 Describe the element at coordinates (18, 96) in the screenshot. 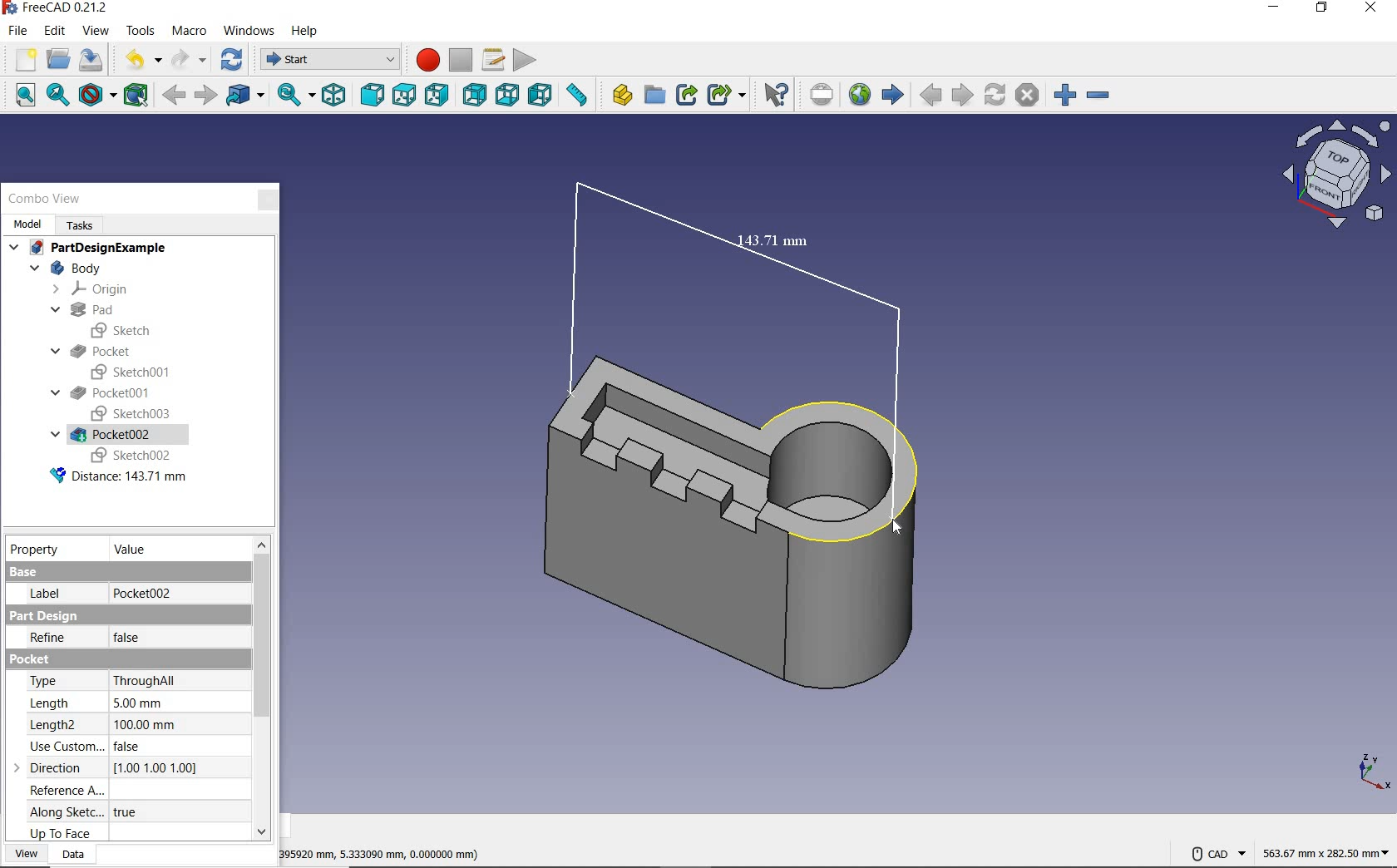

I see `fit all` at that location.